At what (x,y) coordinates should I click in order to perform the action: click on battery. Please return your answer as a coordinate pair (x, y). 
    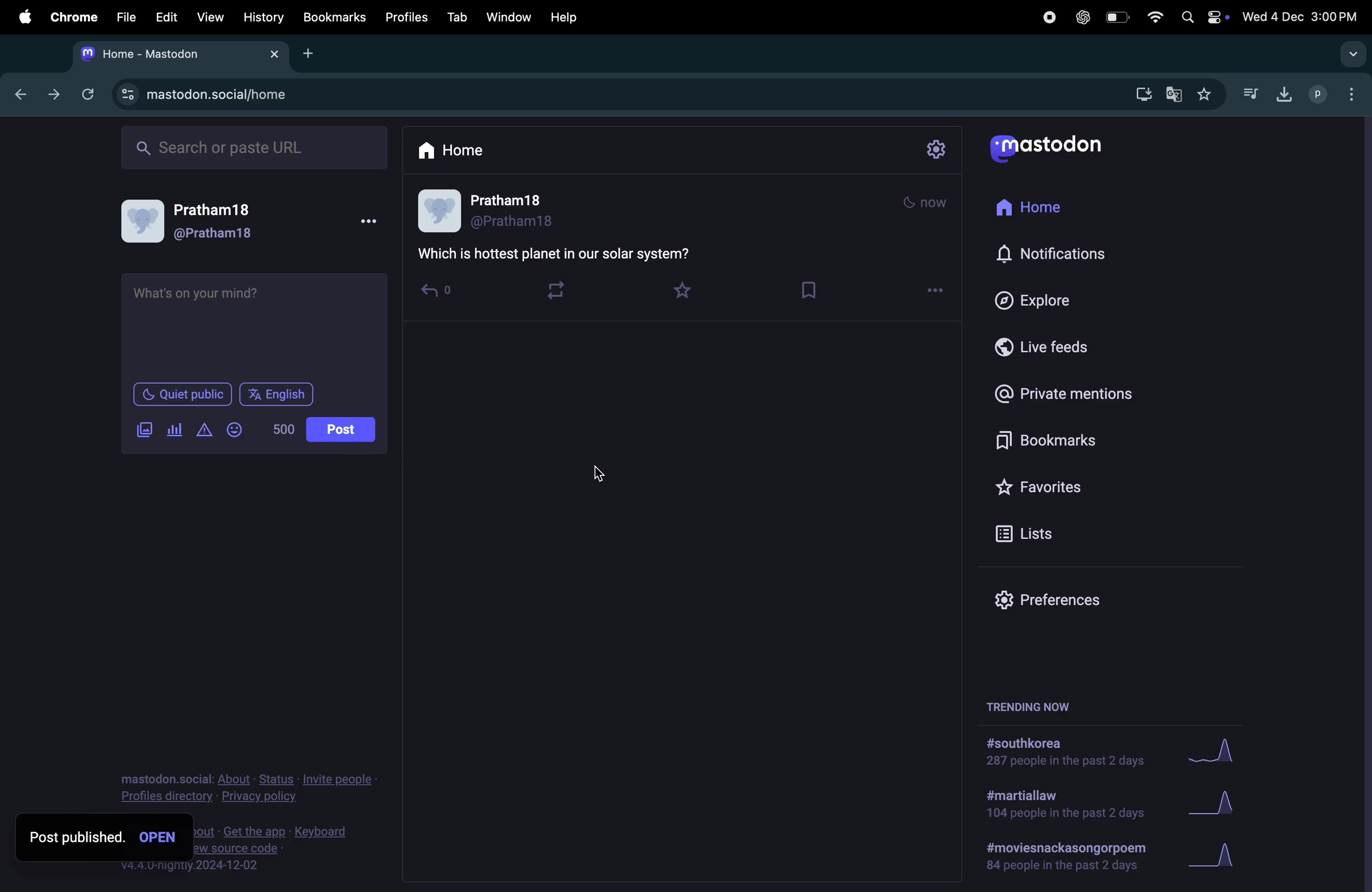
    Looking at the image, I should click on (1116, 17).